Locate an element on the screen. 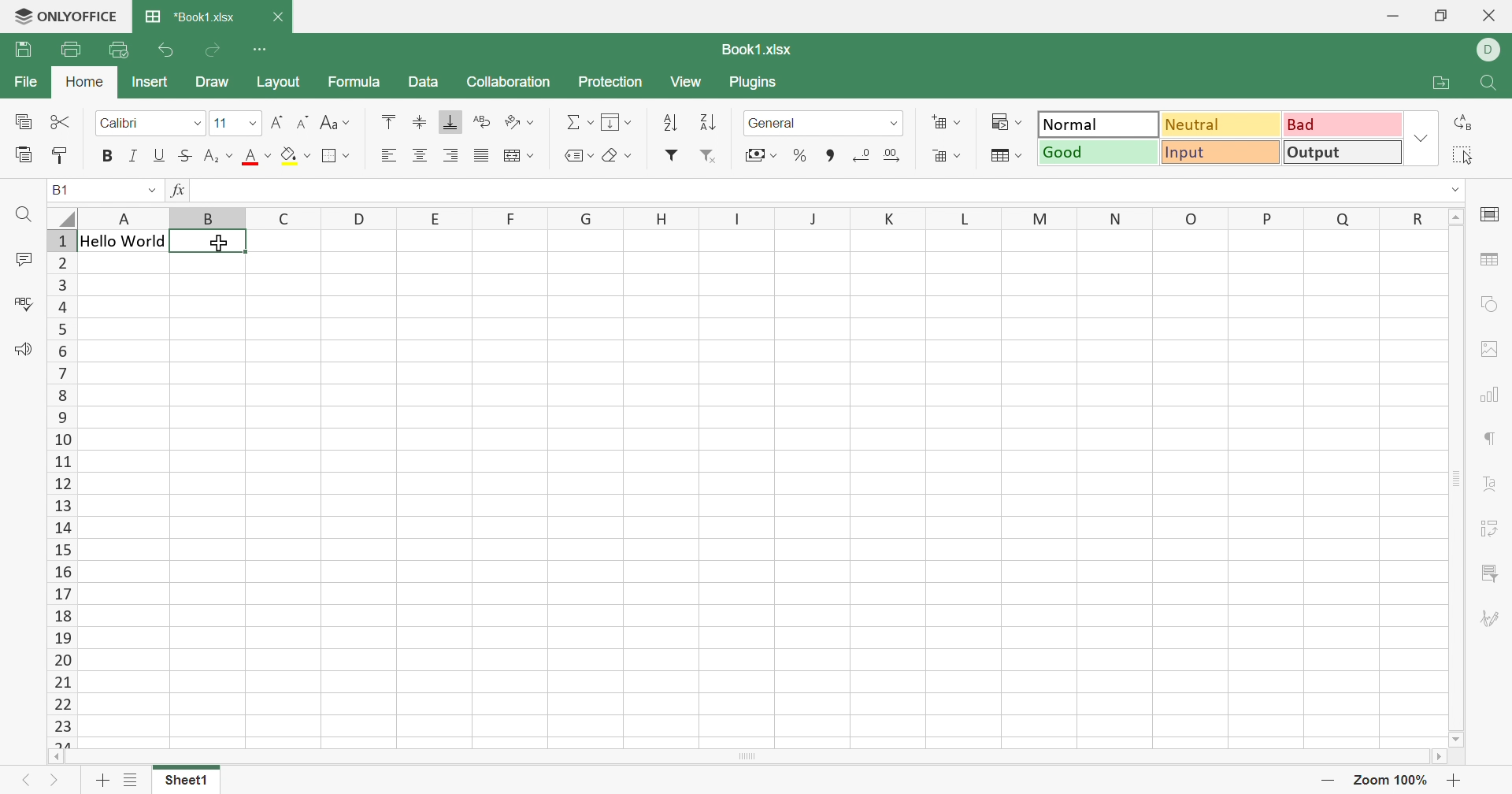  Strilethrough is located at coordinates (183, 155).